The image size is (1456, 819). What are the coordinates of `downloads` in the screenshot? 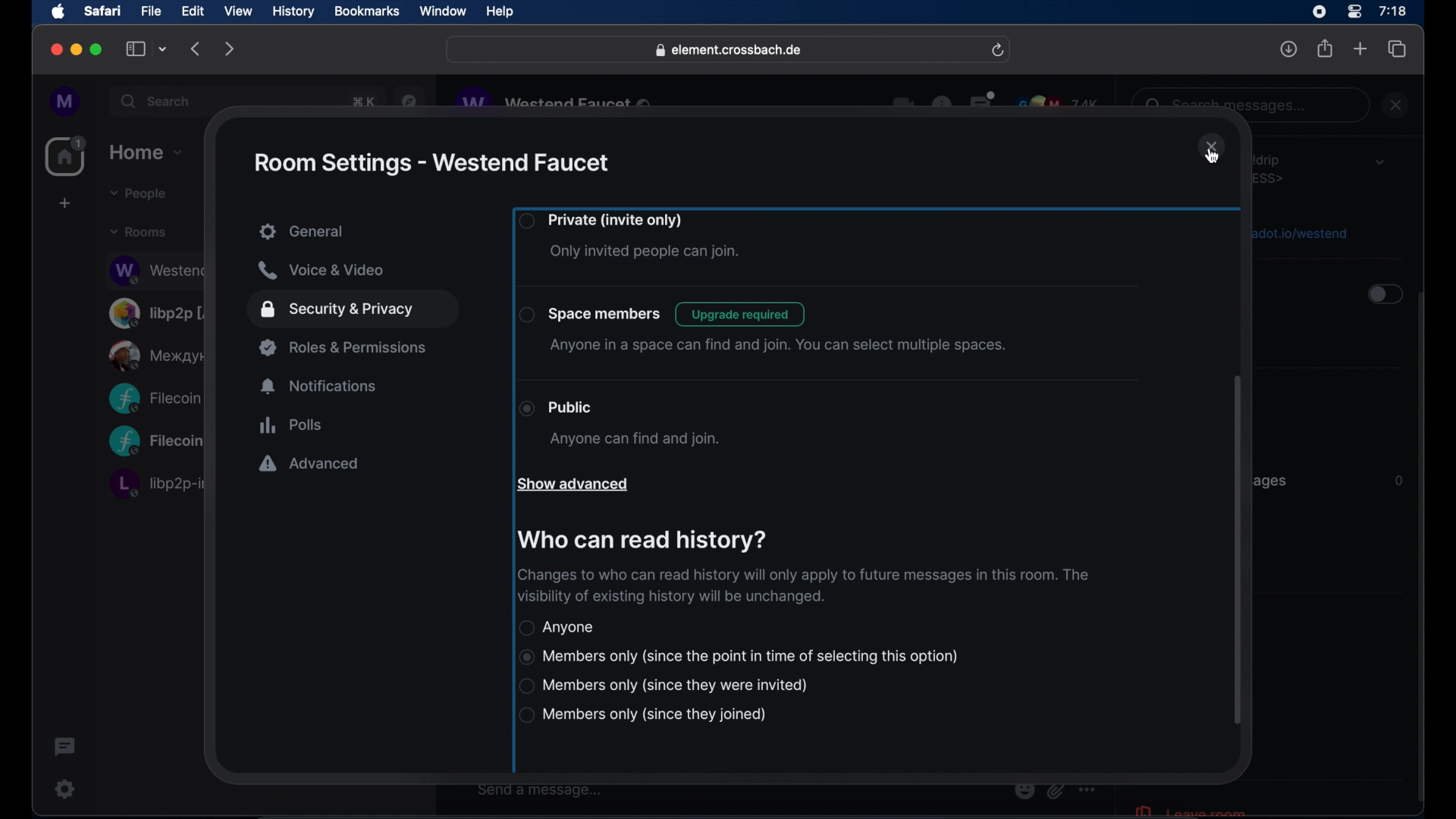 It's located at (1289, 49).